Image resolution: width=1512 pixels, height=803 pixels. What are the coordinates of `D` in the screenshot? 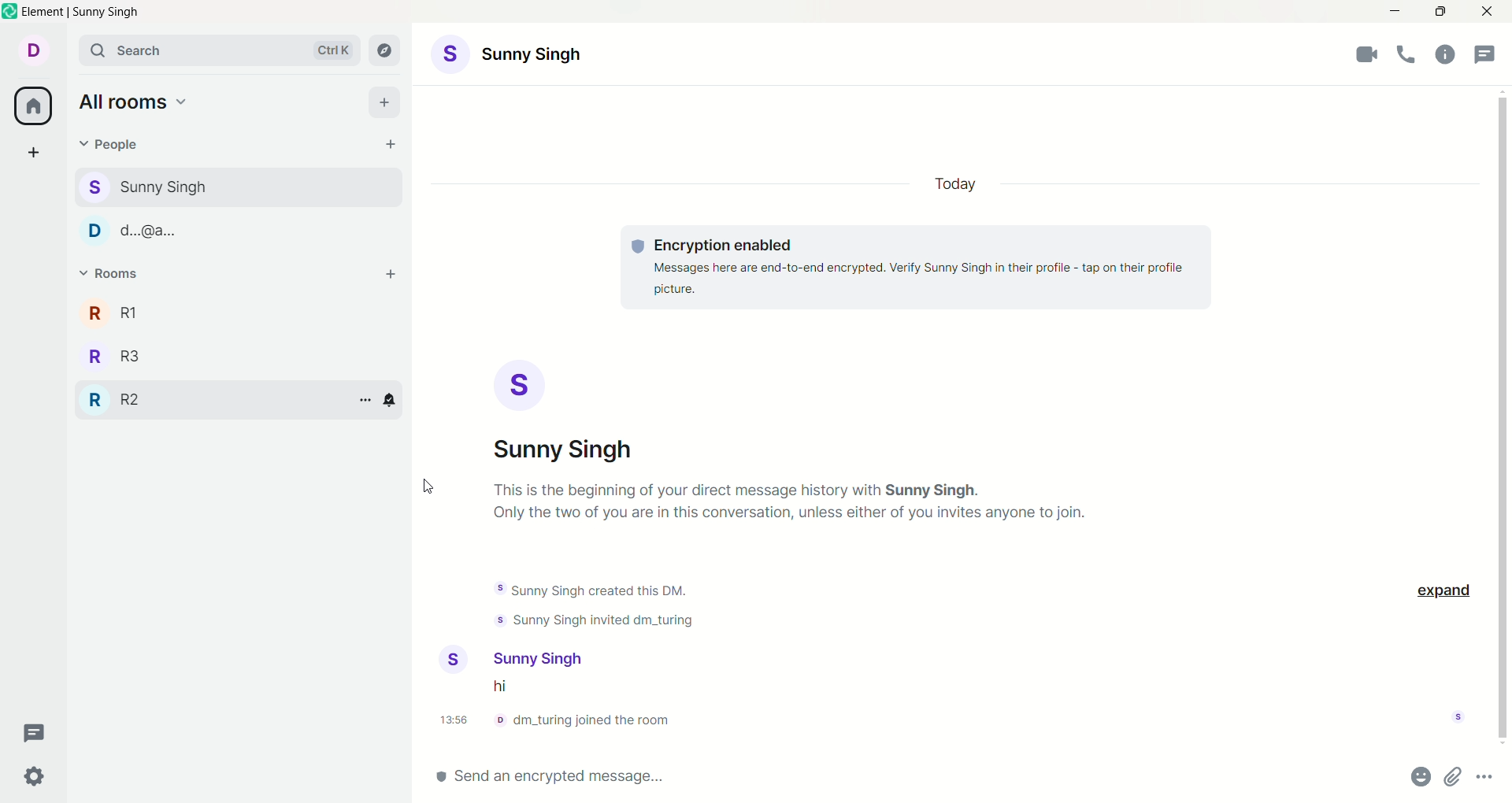 It's located at (135, 229).